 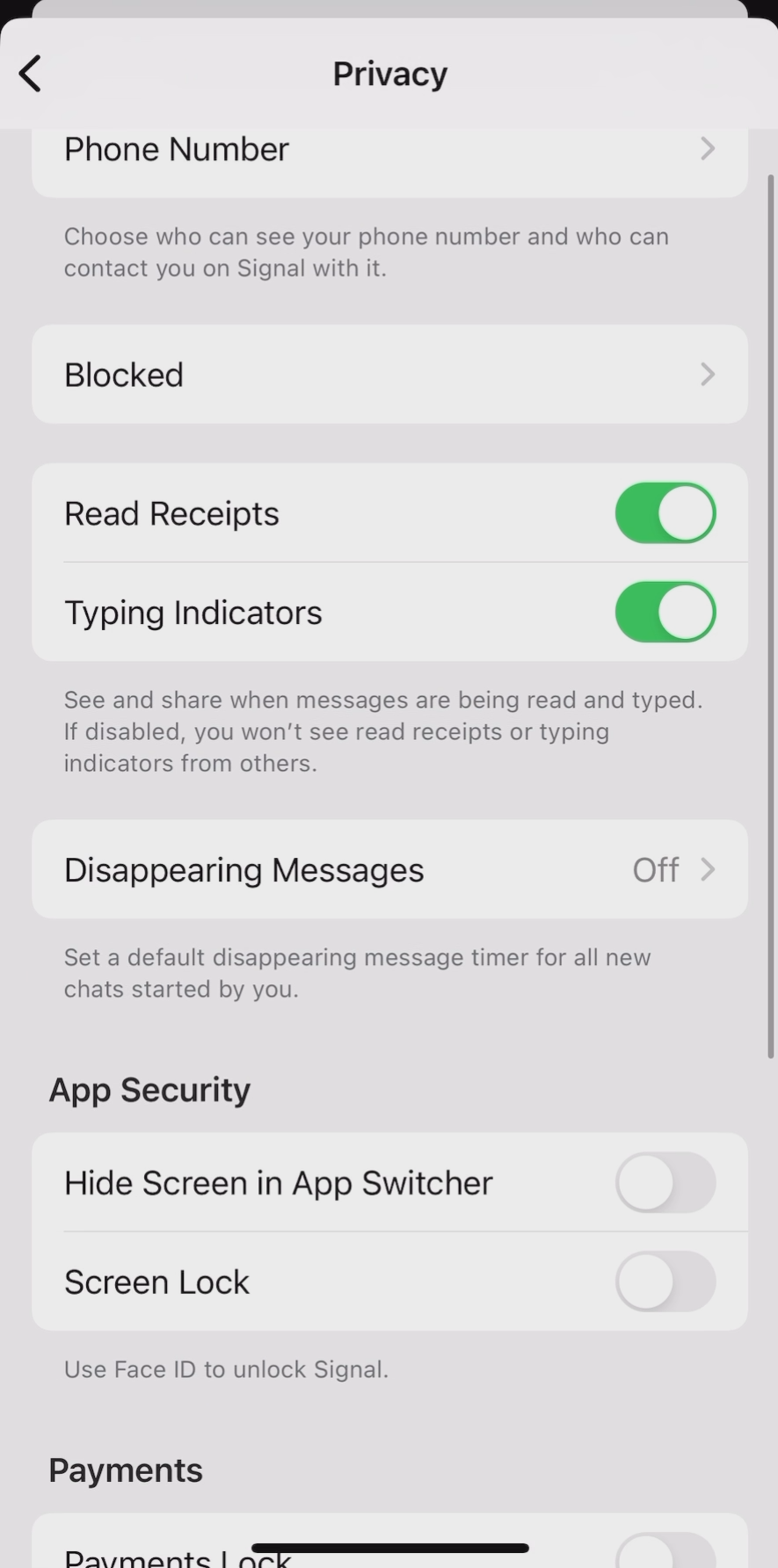 I want to click on app security, so click(x=156, y=1090).